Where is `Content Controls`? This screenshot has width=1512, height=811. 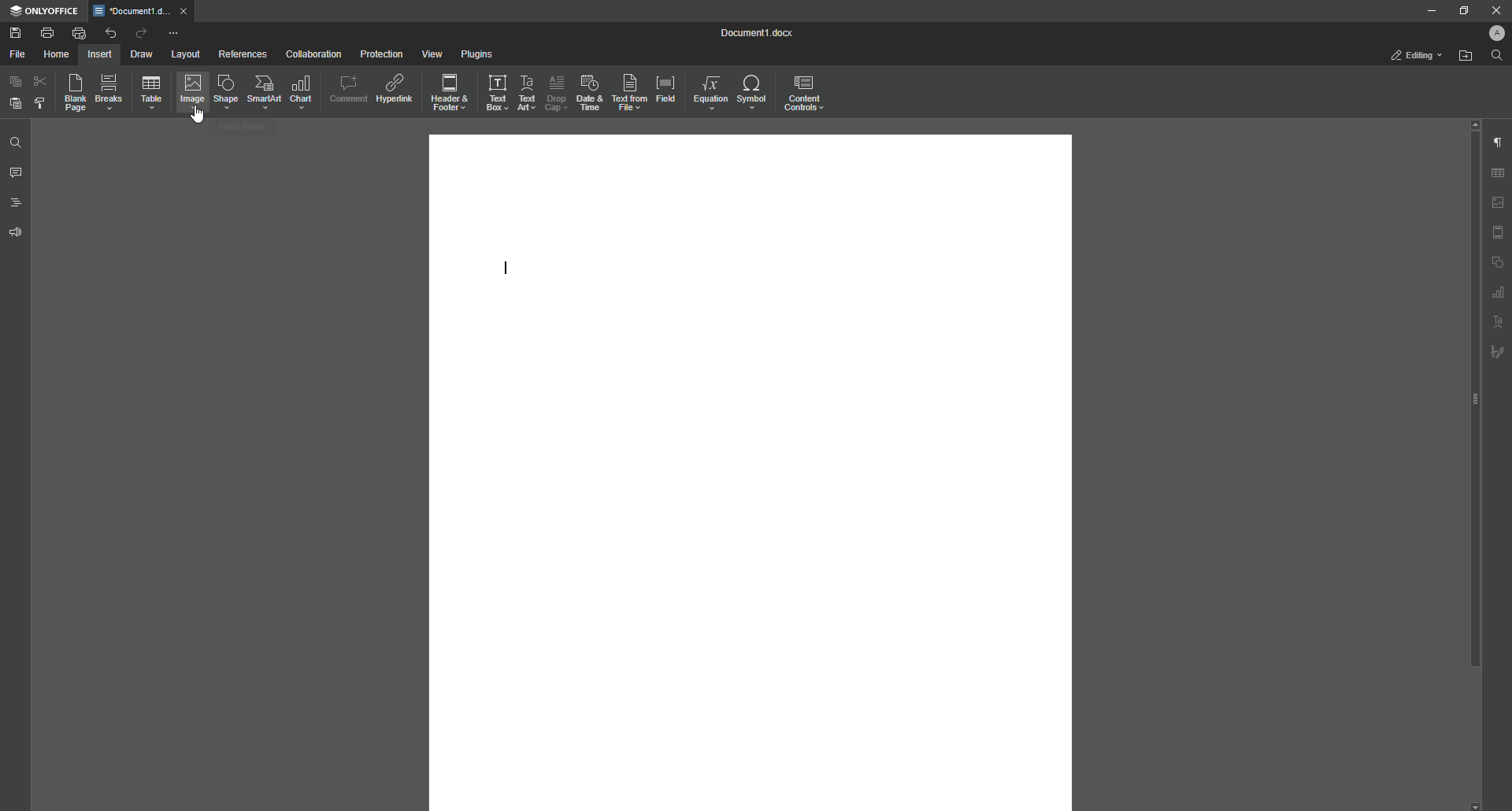 Content Controls is located at coordinates (805, 92).